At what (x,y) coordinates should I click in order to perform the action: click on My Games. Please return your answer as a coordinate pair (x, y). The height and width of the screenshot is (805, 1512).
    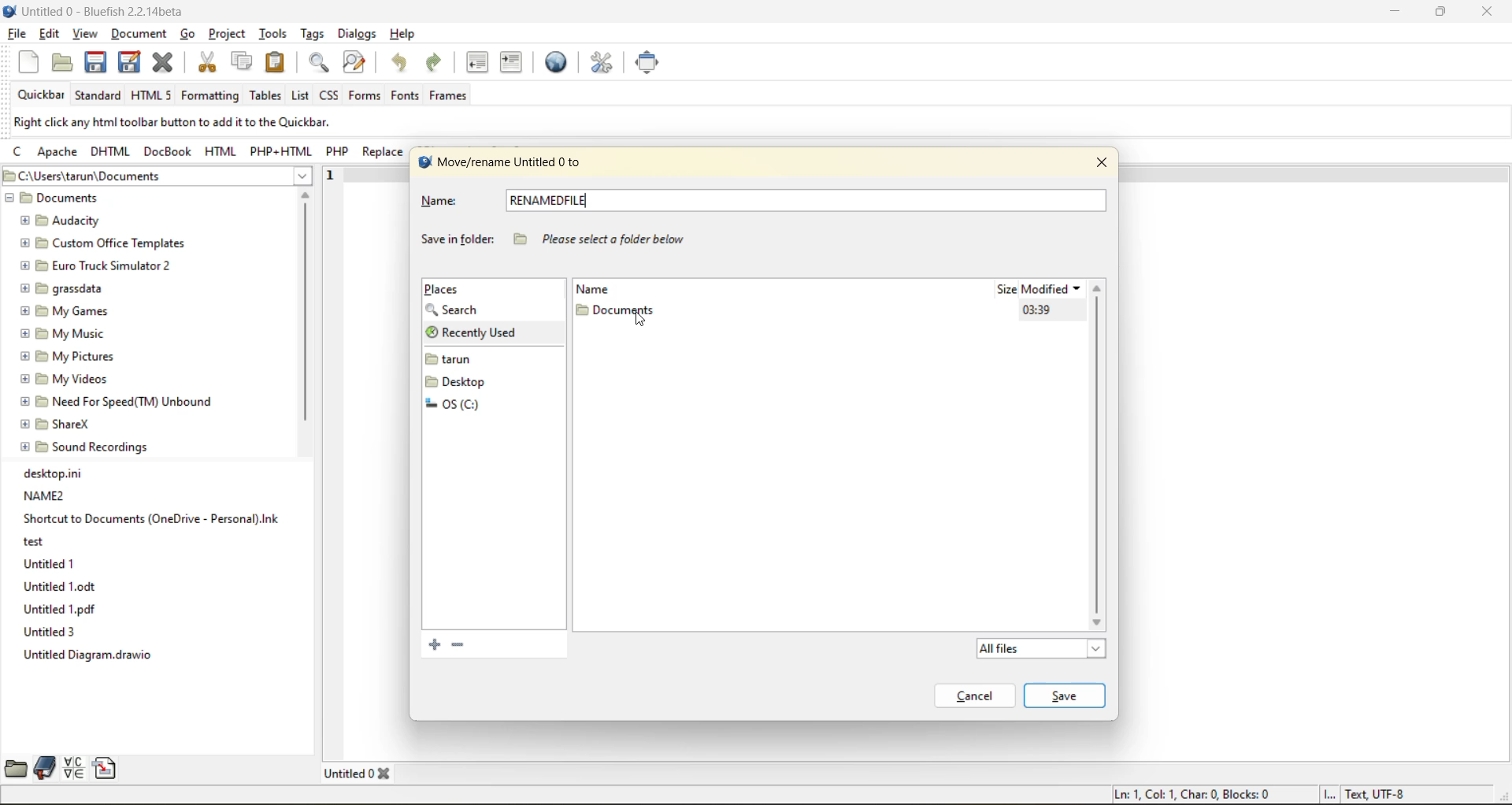
    Looking at the image, I should click on (68, 310).